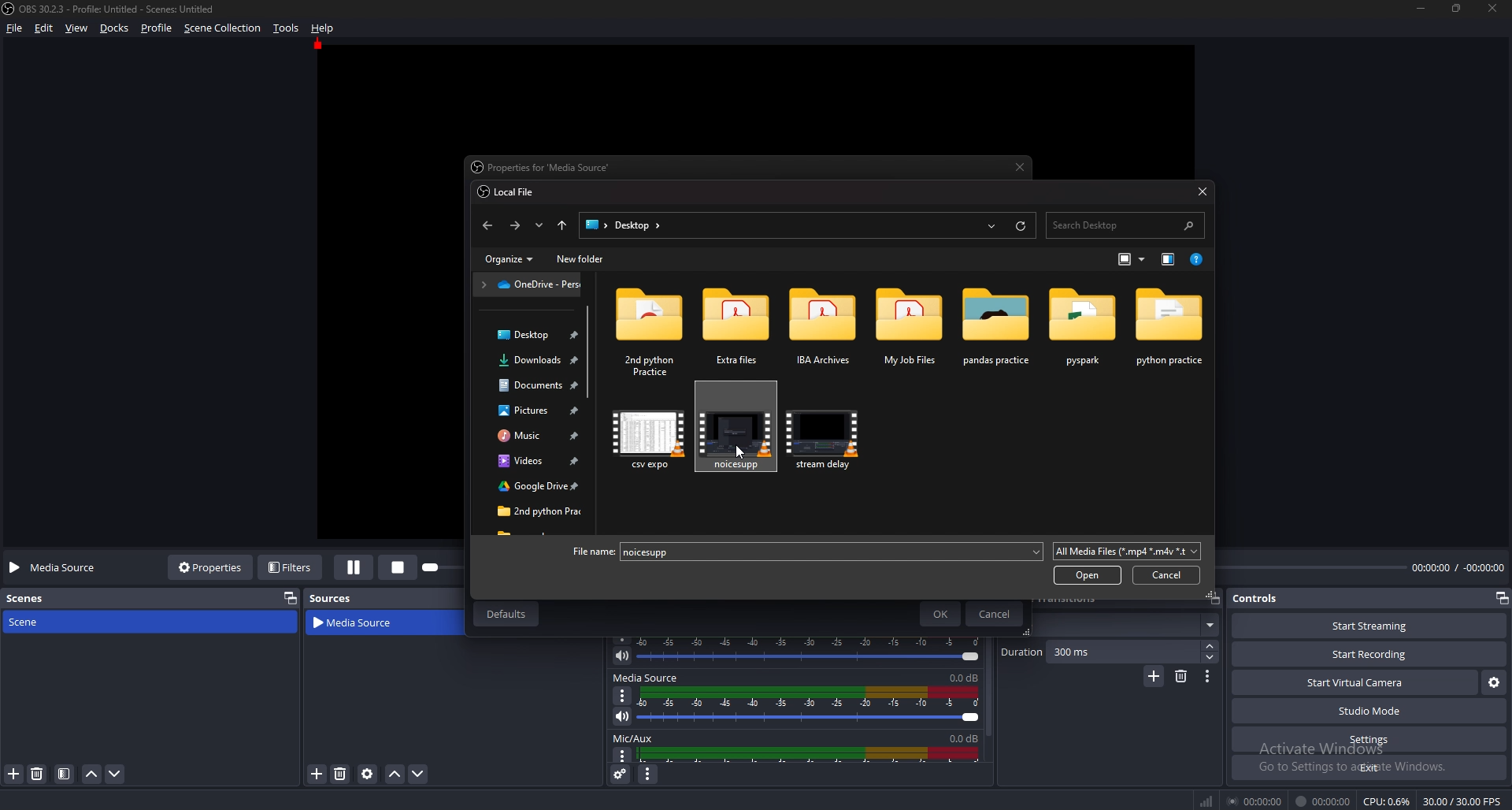  Describe the element at coordinates (417, 774) in the screenshot. I see `Move sources down` at that location.